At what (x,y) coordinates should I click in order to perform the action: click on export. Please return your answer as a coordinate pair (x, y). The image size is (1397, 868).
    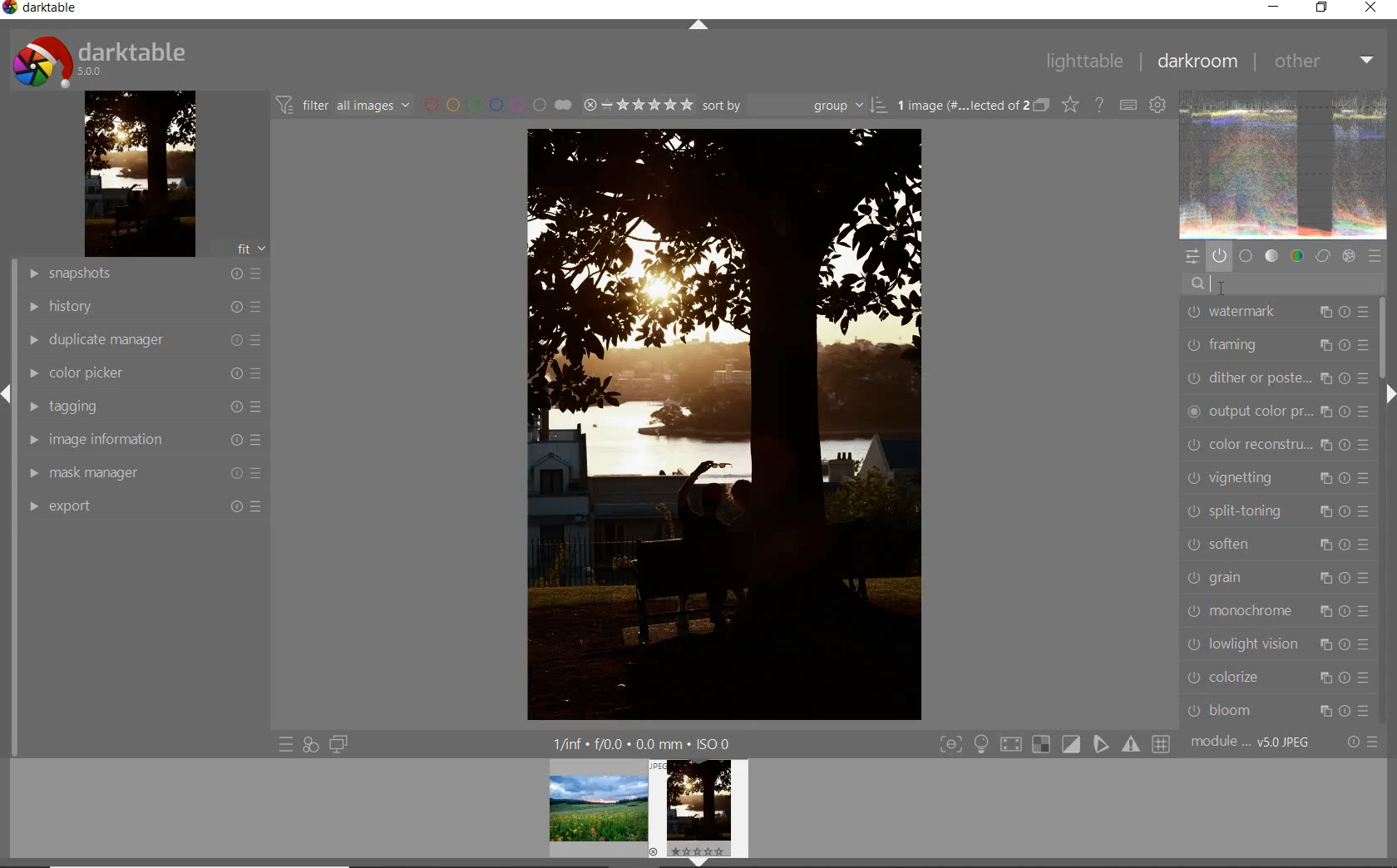
    Looking at the image, I should click on (142, 508).